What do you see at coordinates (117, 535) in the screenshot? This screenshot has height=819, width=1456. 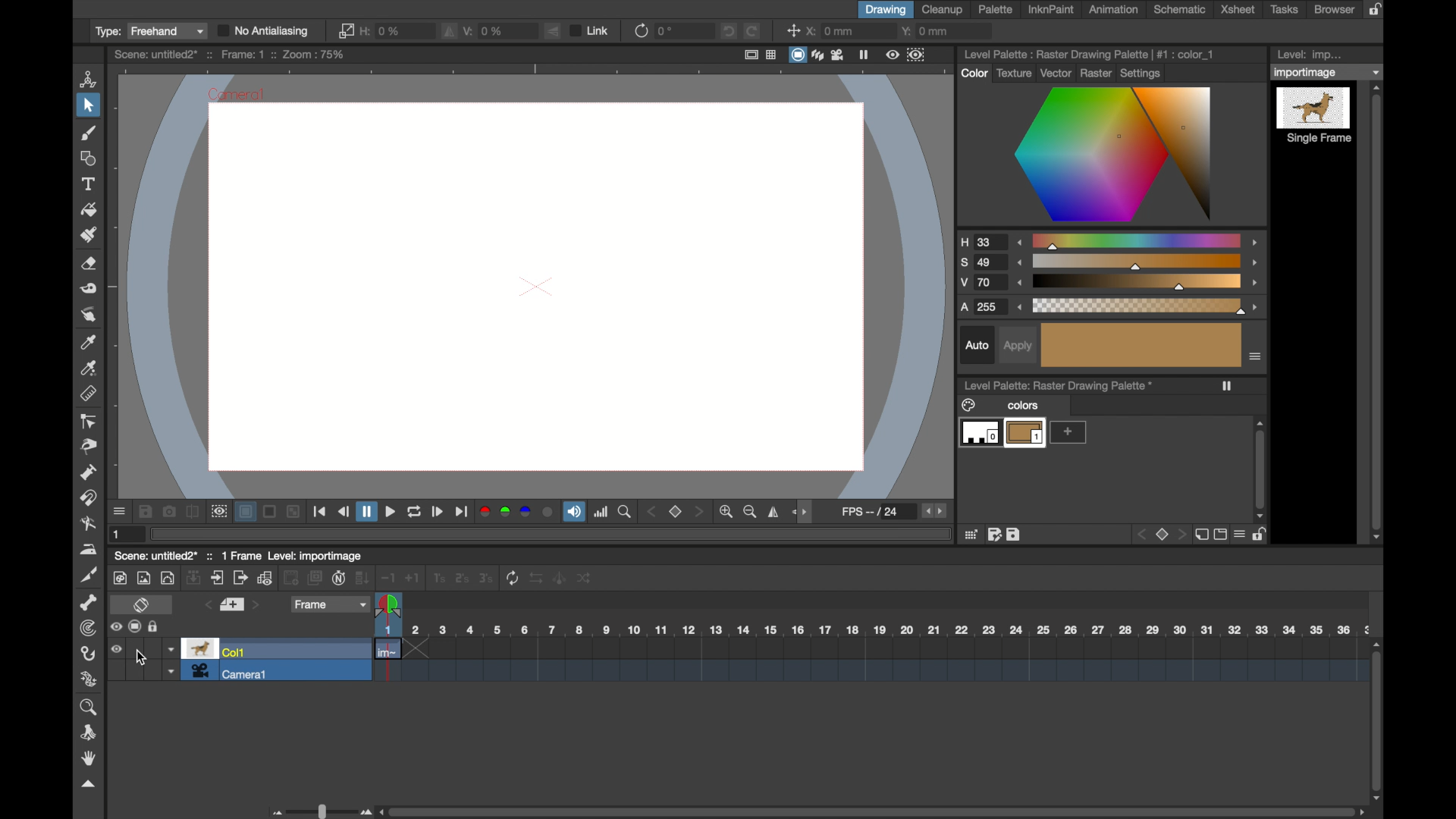 I see `1` at bounding box center [117, 535].